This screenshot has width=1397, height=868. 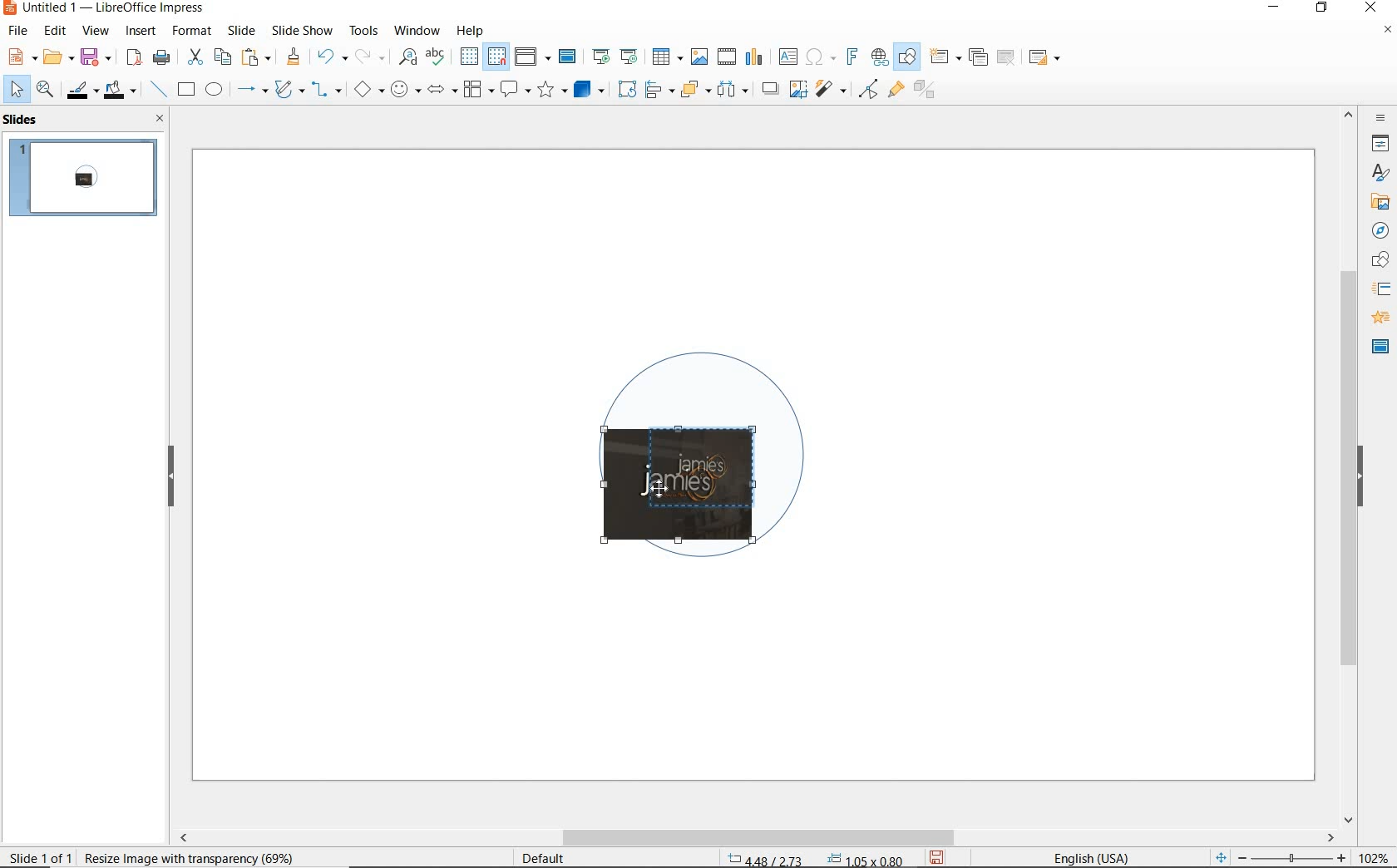 I want to click on find and replace, so click(x=407, y=57).